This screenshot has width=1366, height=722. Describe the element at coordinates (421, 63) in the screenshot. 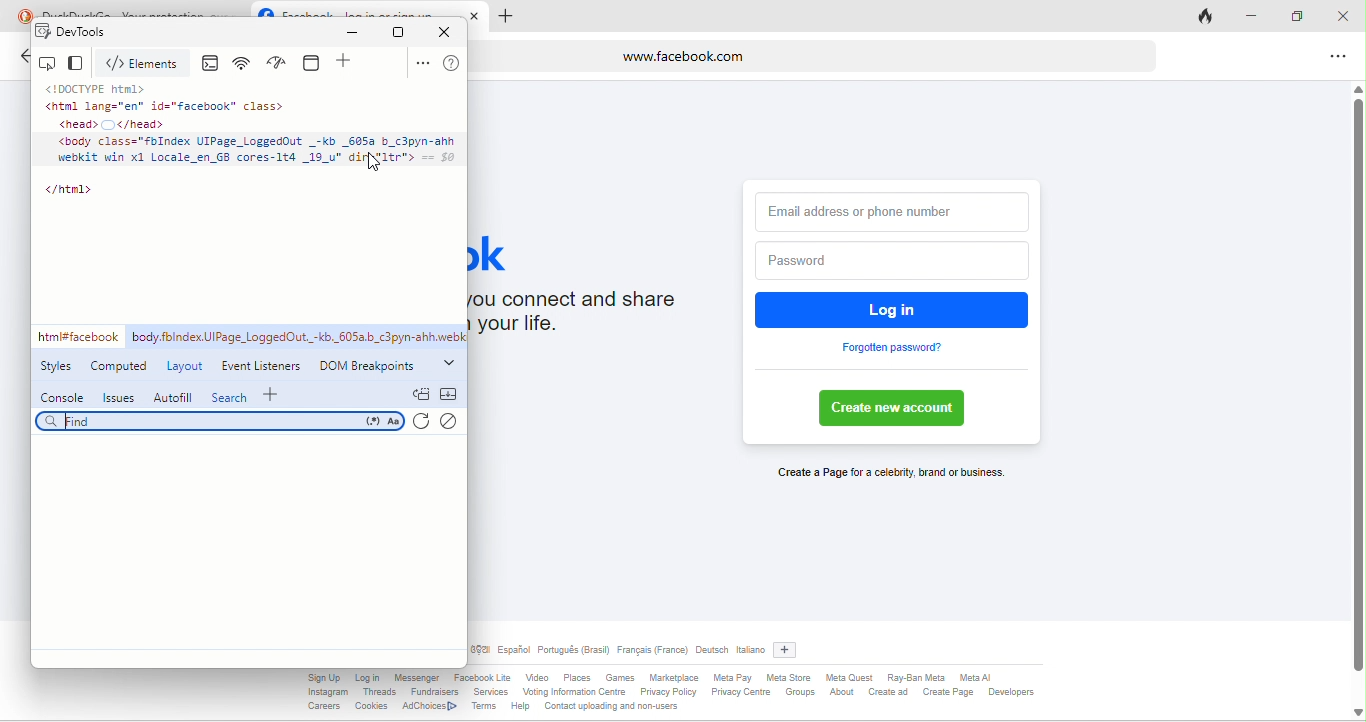

I see `option` at that location.